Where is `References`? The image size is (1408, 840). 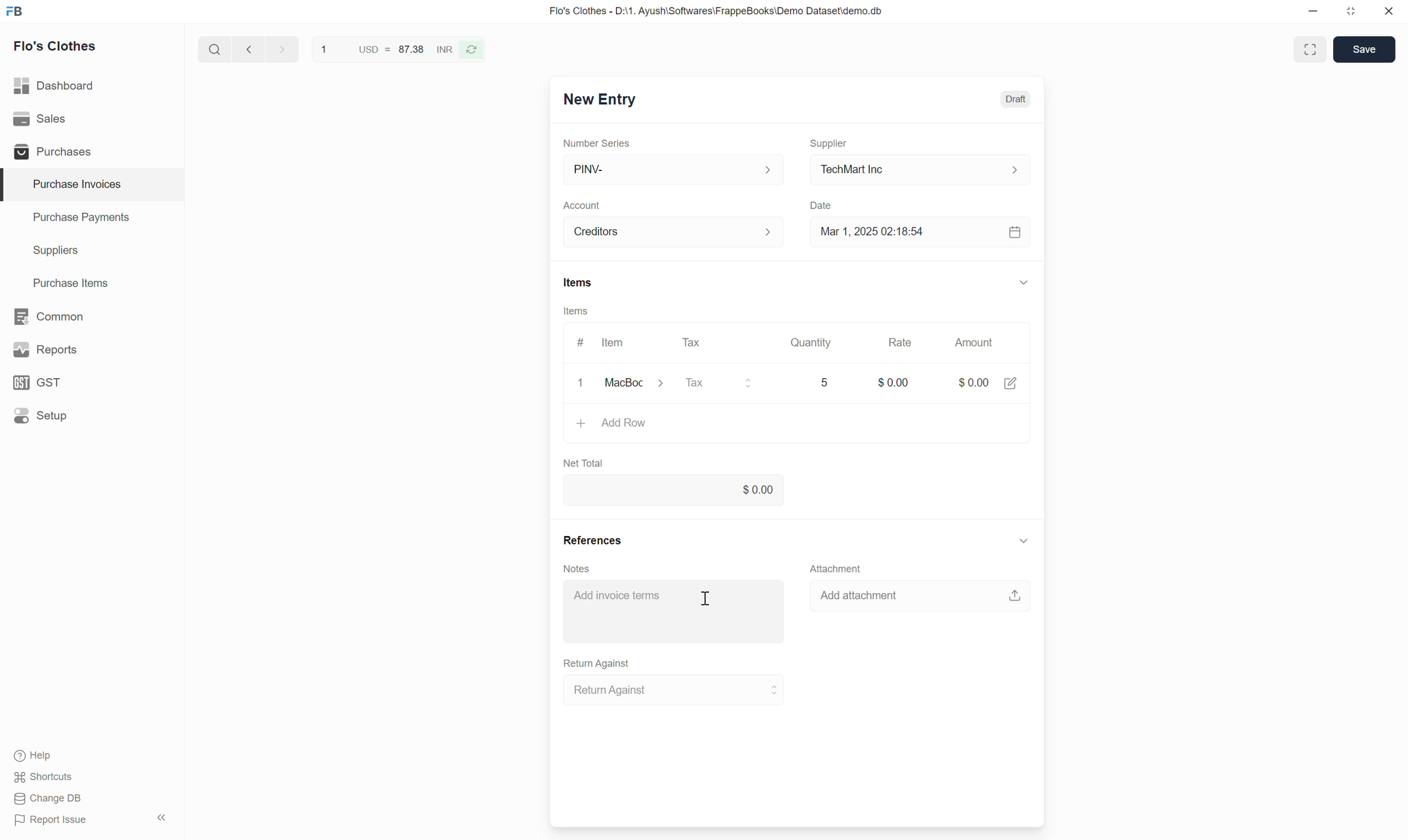
References is located at coordinates (593, 540).